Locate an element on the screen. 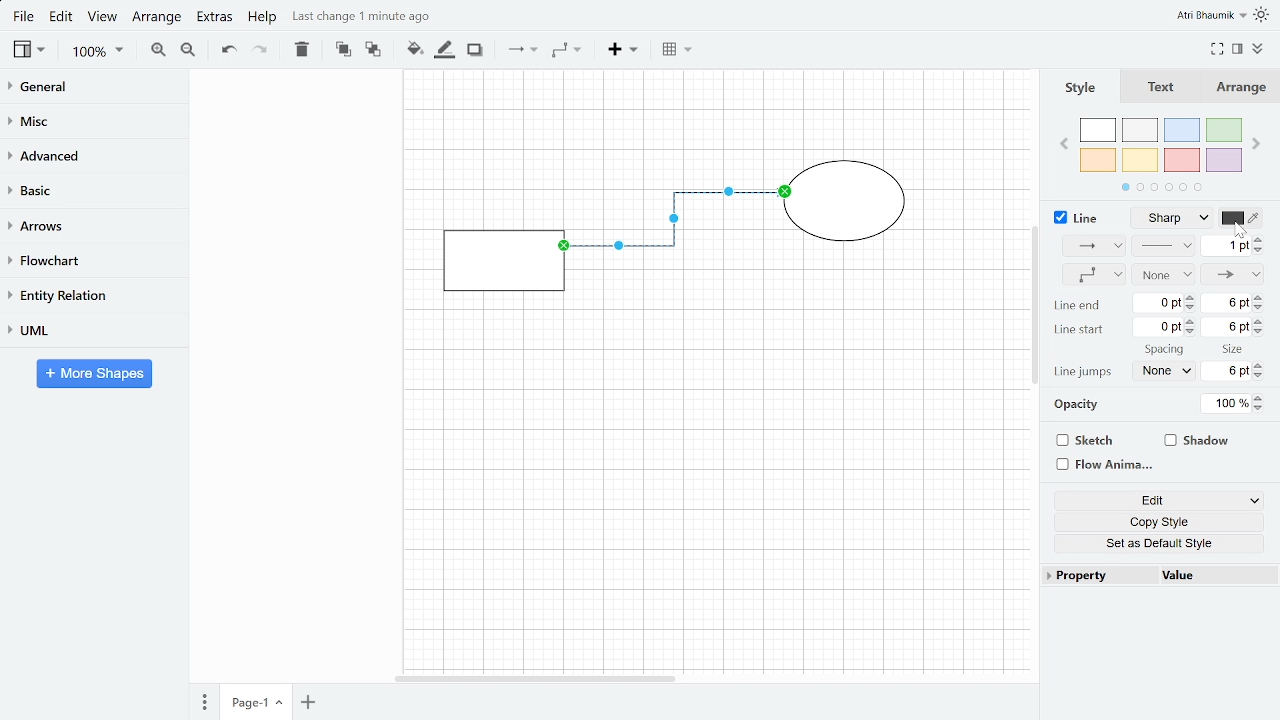 This screenshot has width=1280, height=720. Edit is located at coordinates (1152, 499).